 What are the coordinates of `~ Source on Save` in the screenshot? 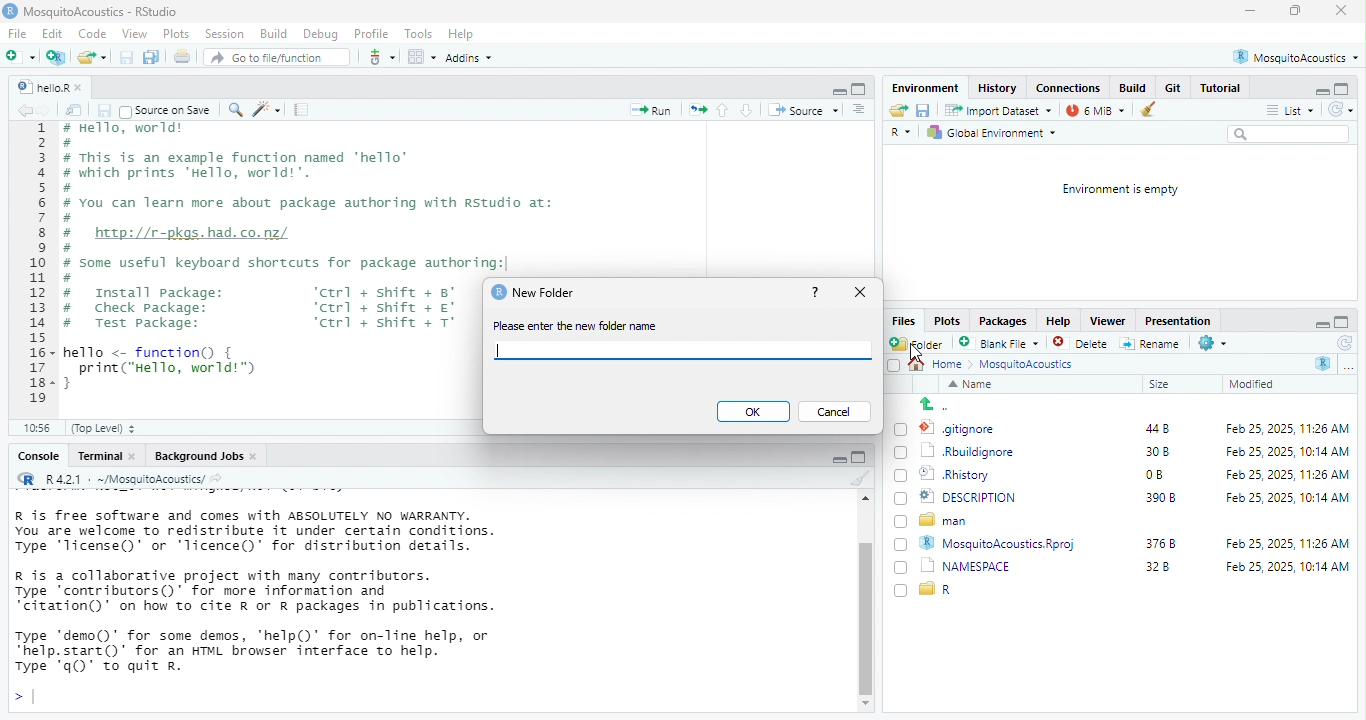 It's located at (169, 110).